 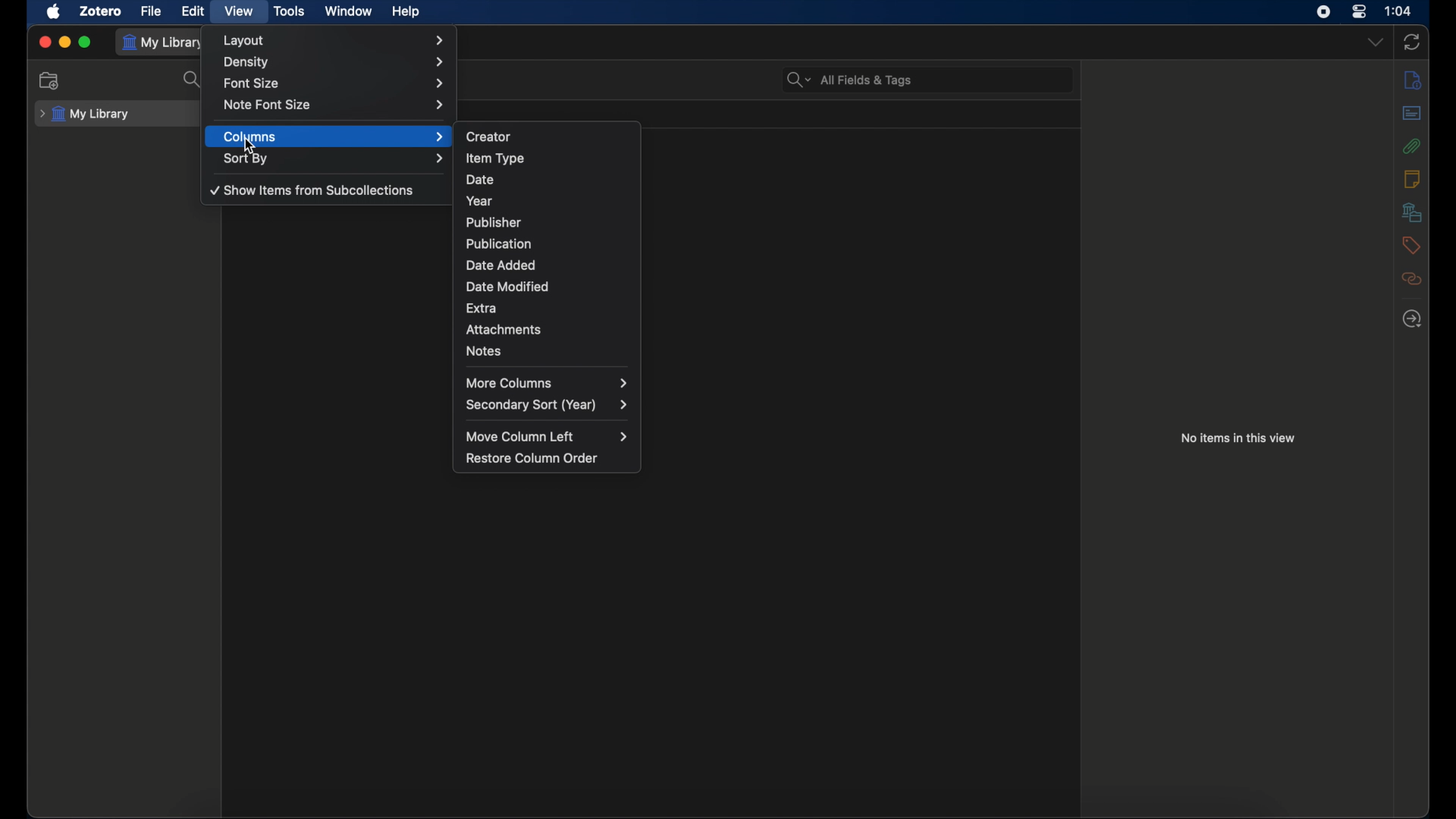 I want to click on search, so click(x=193, y=80).